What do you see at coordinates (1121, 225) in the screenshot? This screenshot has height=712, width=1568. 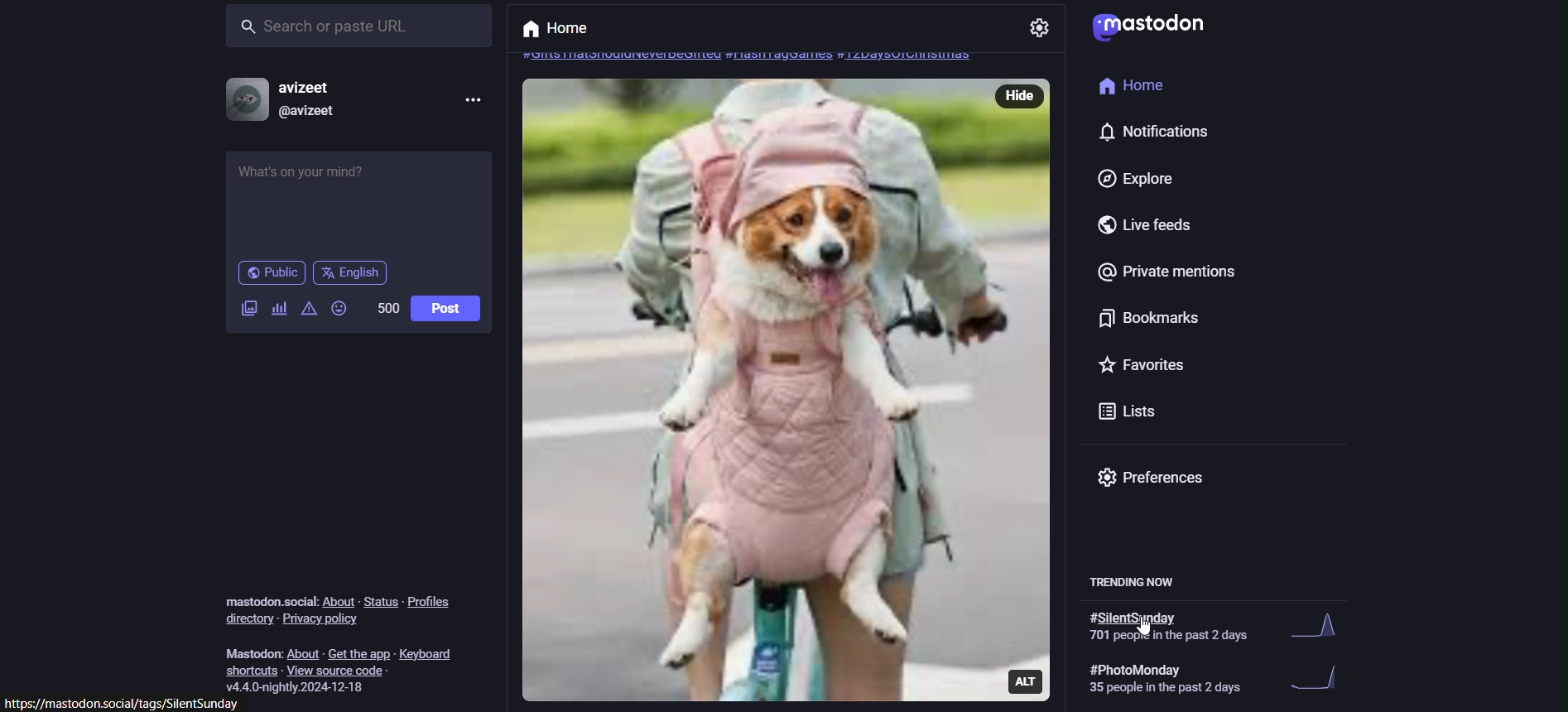 I see `Live feeds` at bounding box center [1121, 225].